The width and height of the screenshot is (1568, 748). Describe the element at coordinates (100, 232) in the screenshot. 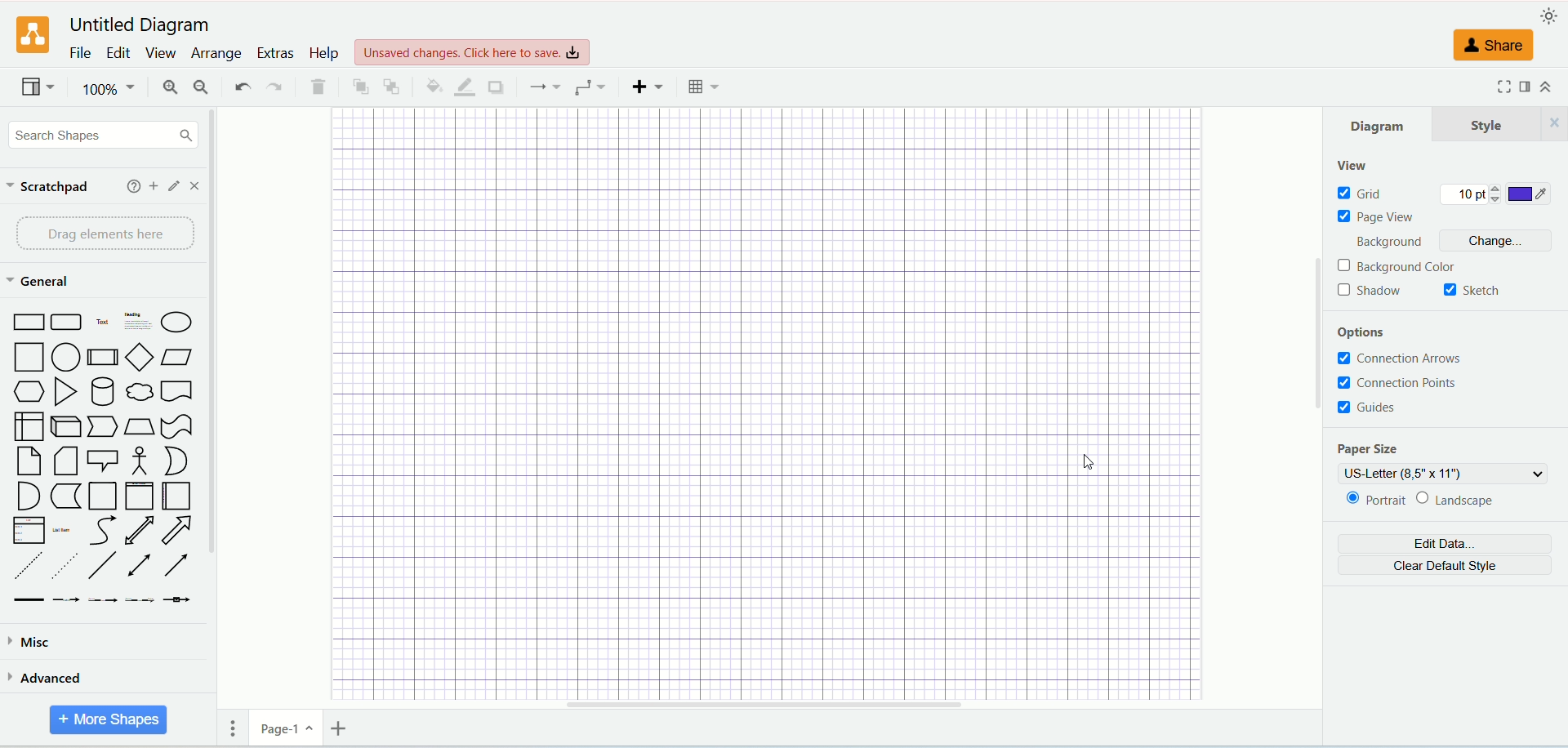

I see `drag elements here` at that location.